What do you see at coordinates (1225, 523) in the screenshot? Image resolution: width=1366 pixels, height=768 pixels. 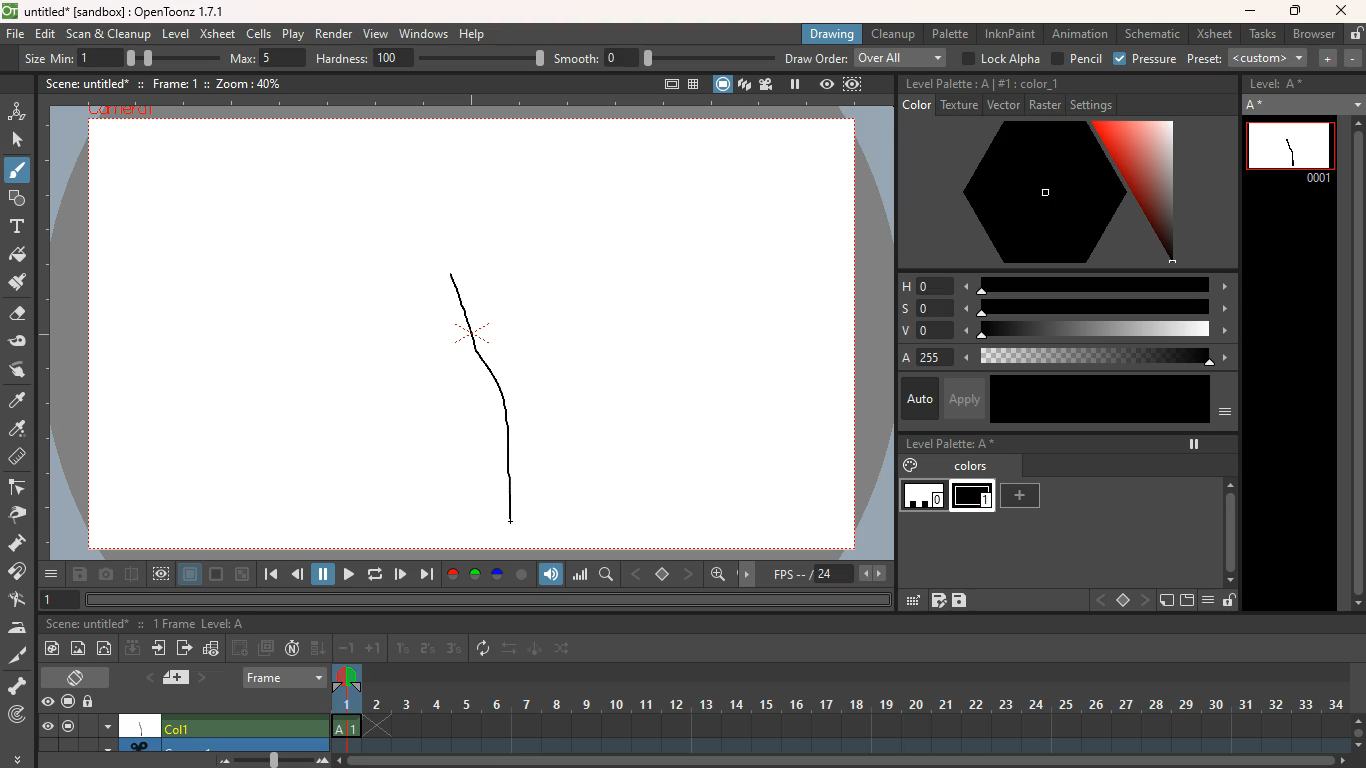 I see `scroll` at bounding box center [1225, 523].